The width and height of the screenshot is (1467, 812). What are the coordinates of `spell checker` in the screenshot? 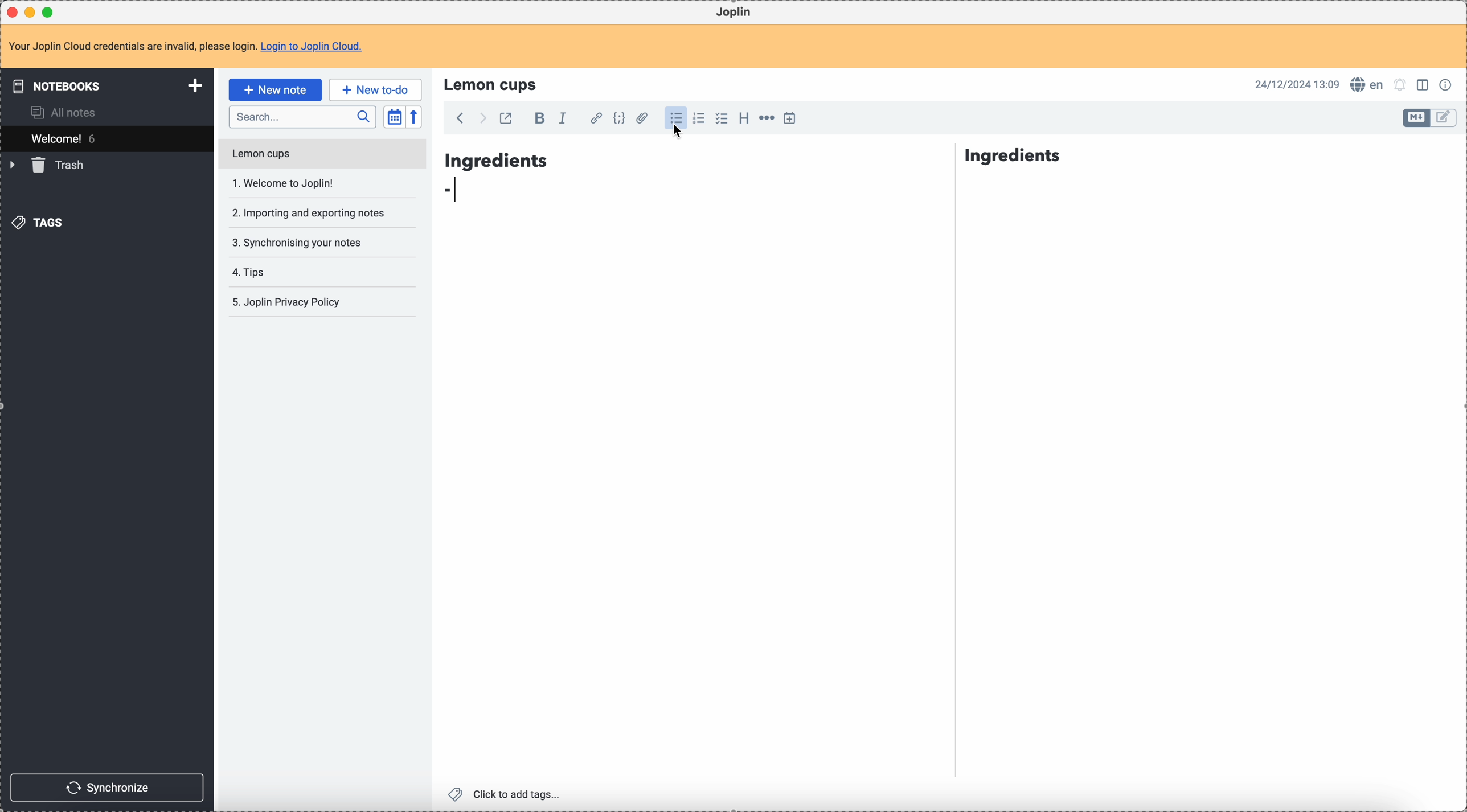 It's located at (1370, 84).